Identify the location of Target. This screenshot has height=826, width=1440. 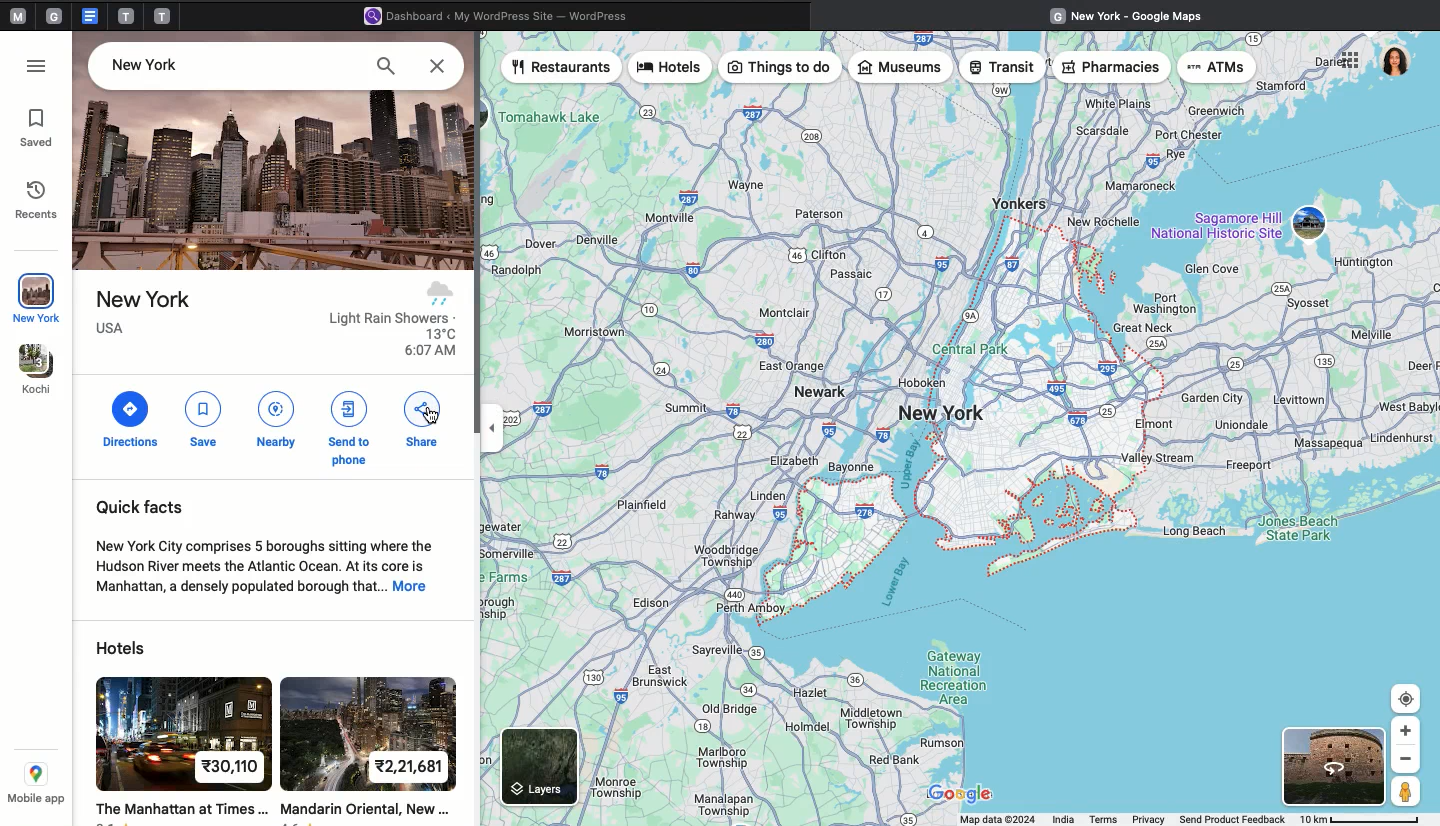
(1406, 700).